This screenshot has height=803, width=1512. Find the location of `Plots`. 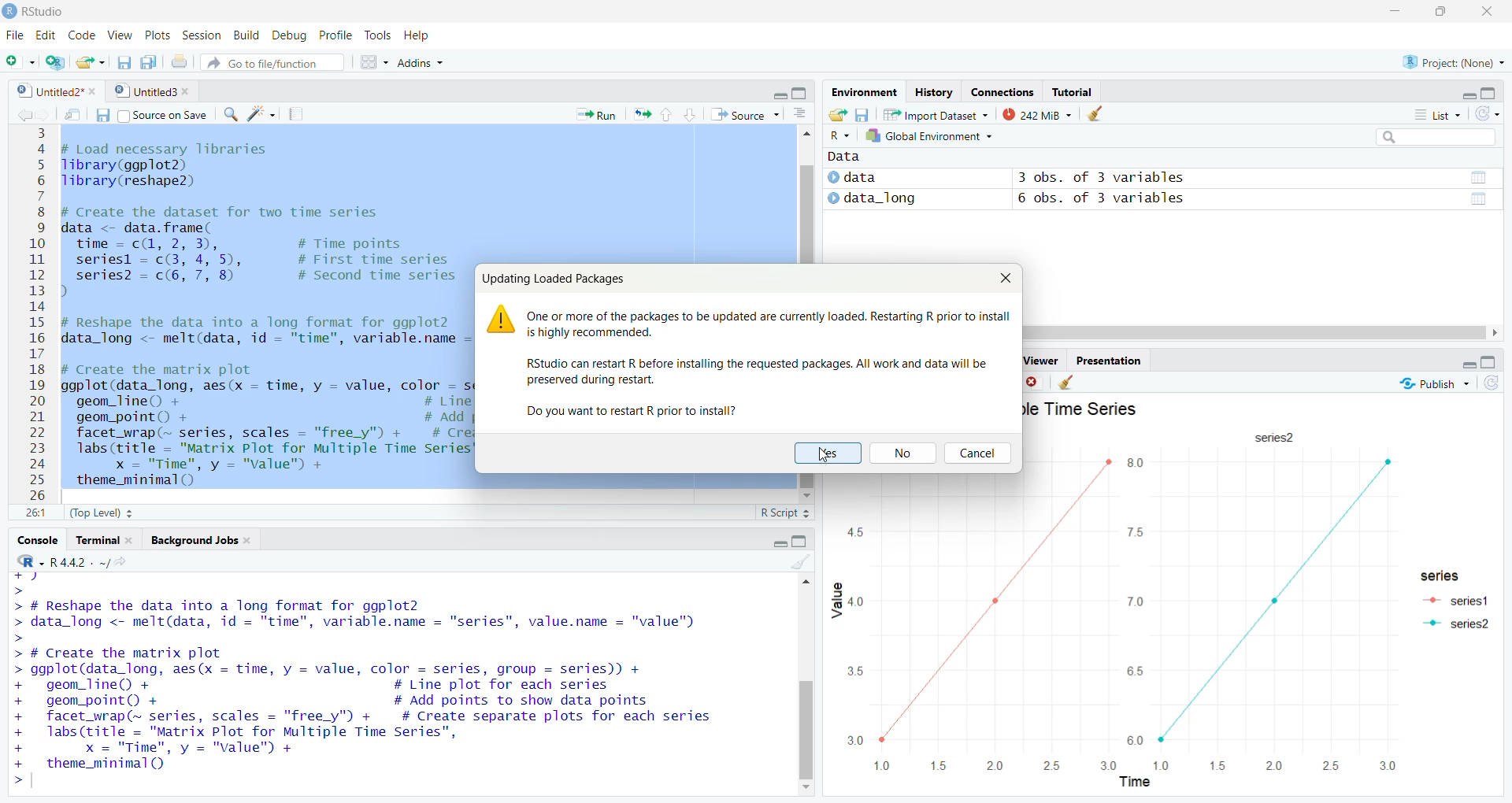

Plots is located at coordinates (159, 35).